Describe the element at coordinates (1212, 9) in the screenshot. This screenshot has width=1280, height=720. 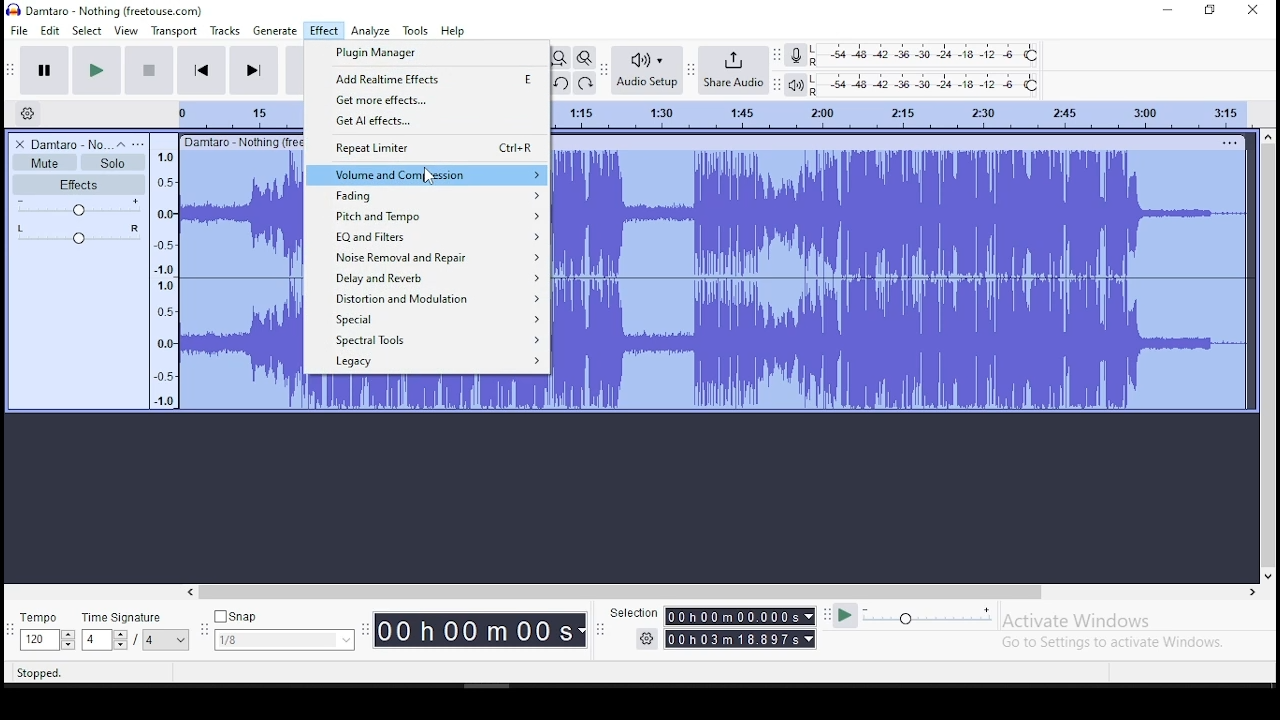
I see `restore` at that location.